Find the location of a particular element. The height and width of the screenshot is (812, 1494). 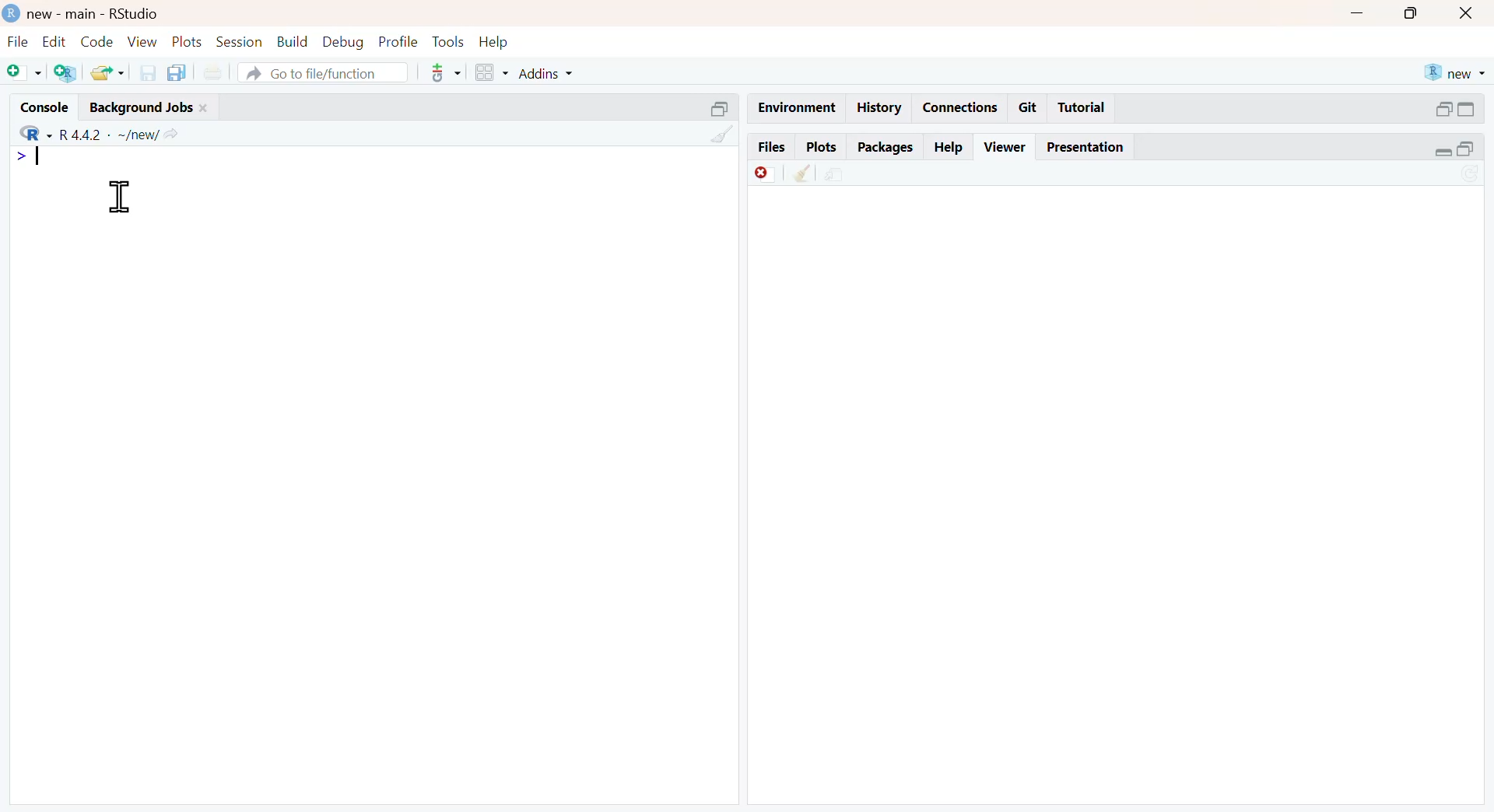

maximise is located at coordinates (1412, 12).